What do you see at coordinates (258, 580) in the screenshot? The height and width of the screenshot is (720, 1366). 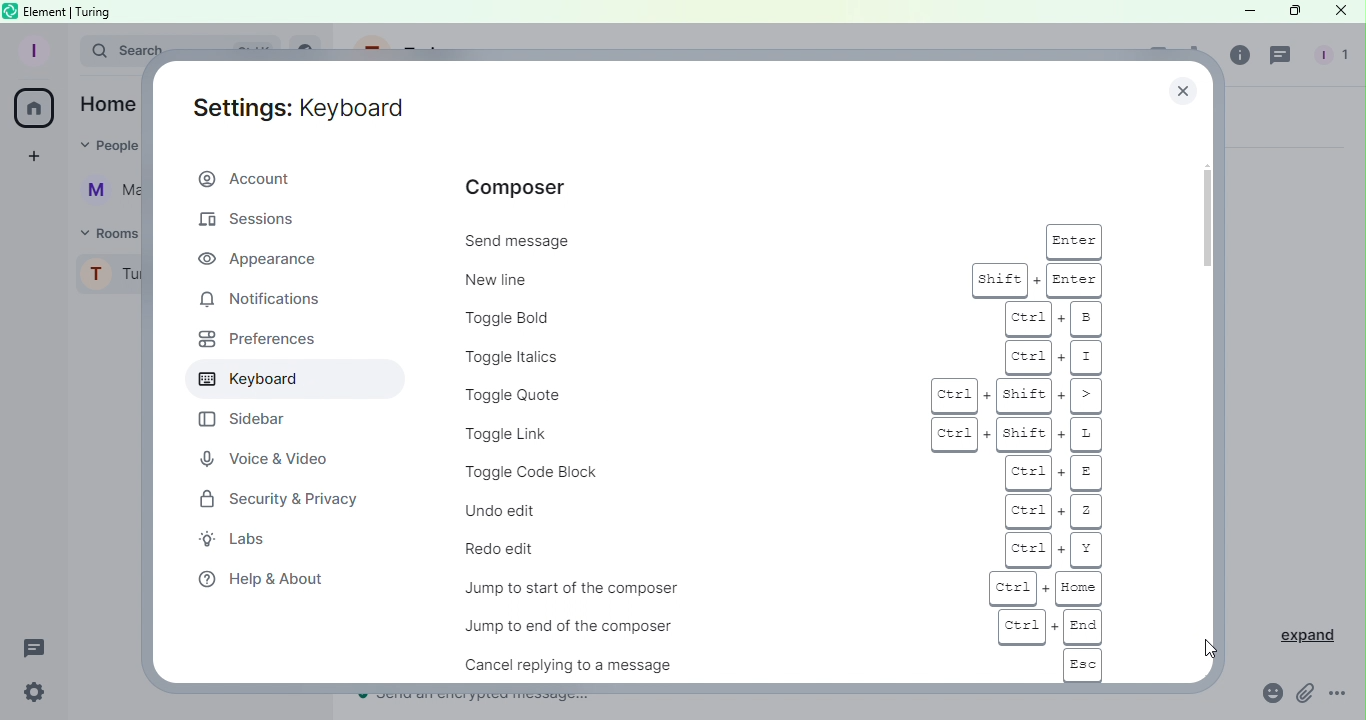 I see `Help and about` at bounding box center [258, 580].